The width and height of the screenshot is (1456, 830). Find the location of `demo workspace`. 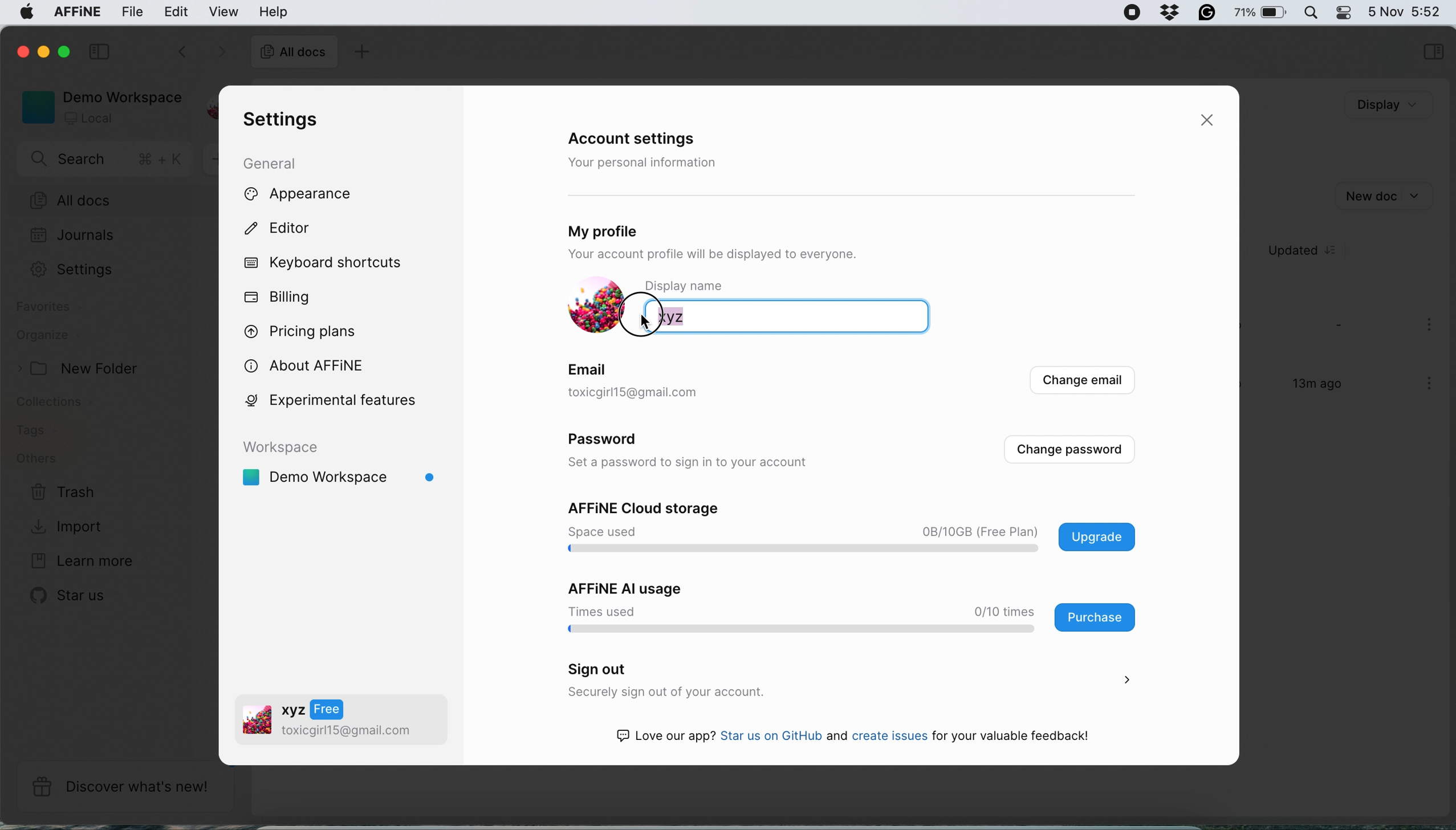

demo workspace is located at coordinates (97, 106).